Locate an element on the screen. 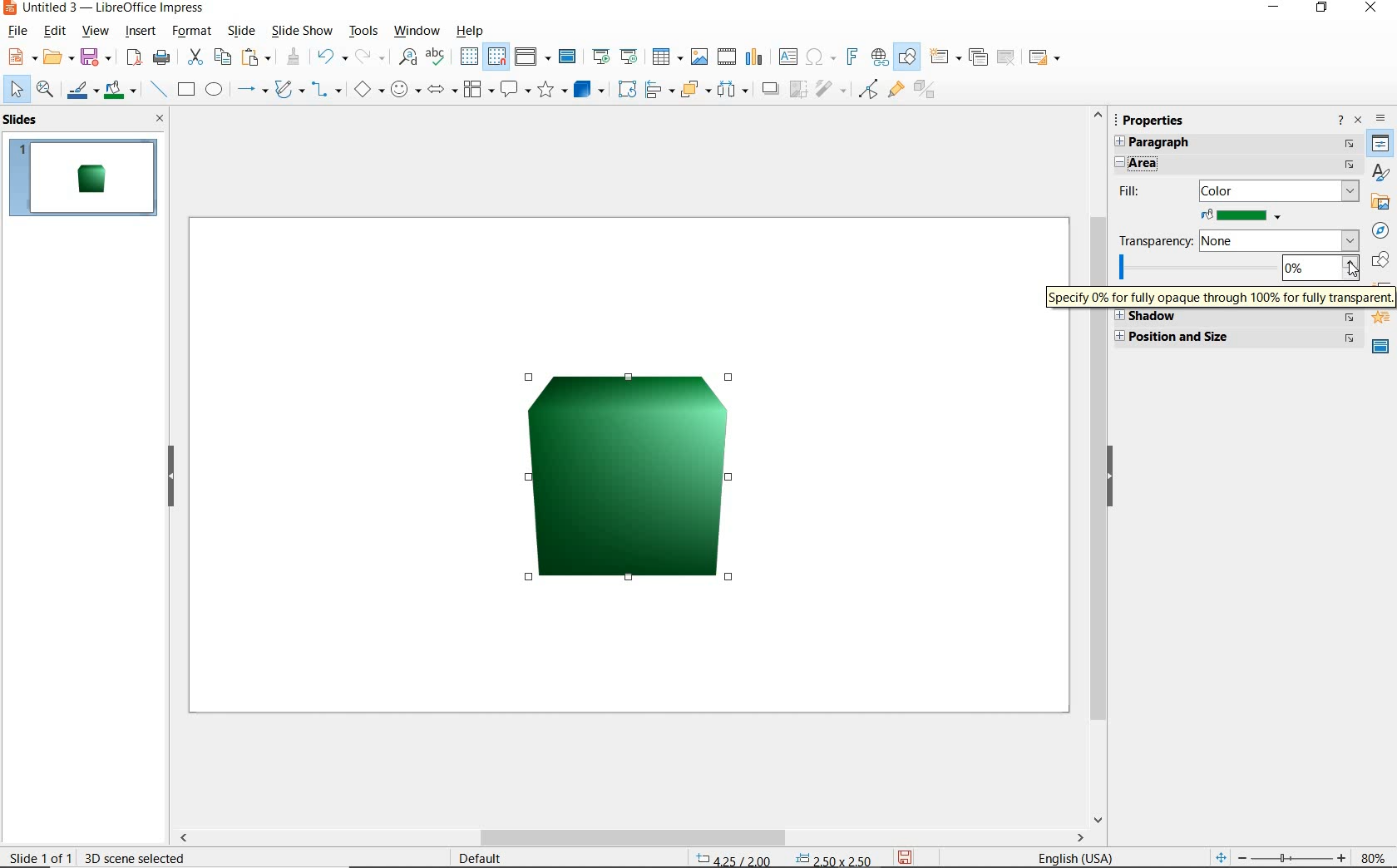 The image size is (1397, 868). HIDE is located at coordinates (170, 477).